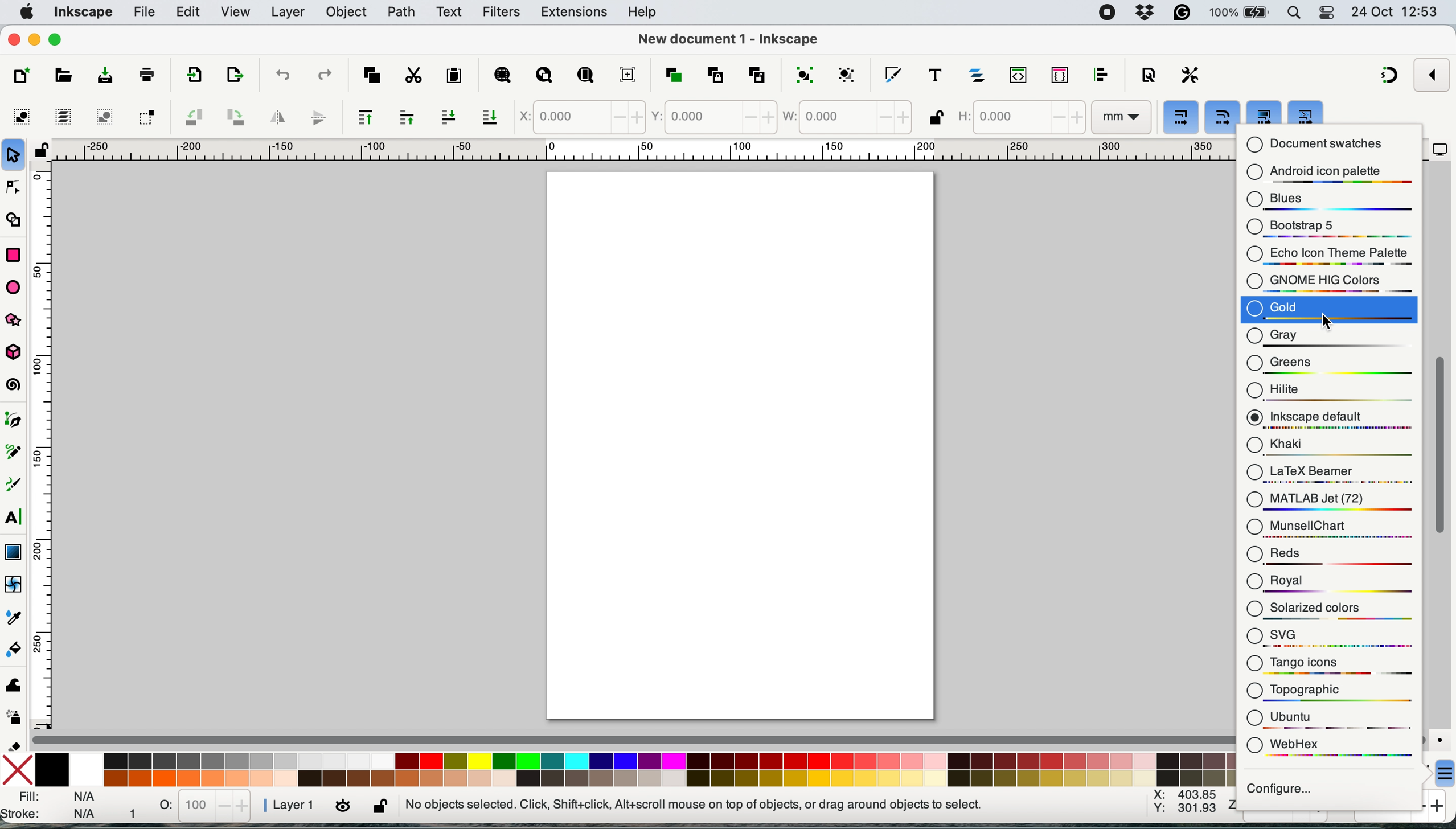 This screenshot has height=829, width=1456. I want to click on document properties, so click(1148, 74).